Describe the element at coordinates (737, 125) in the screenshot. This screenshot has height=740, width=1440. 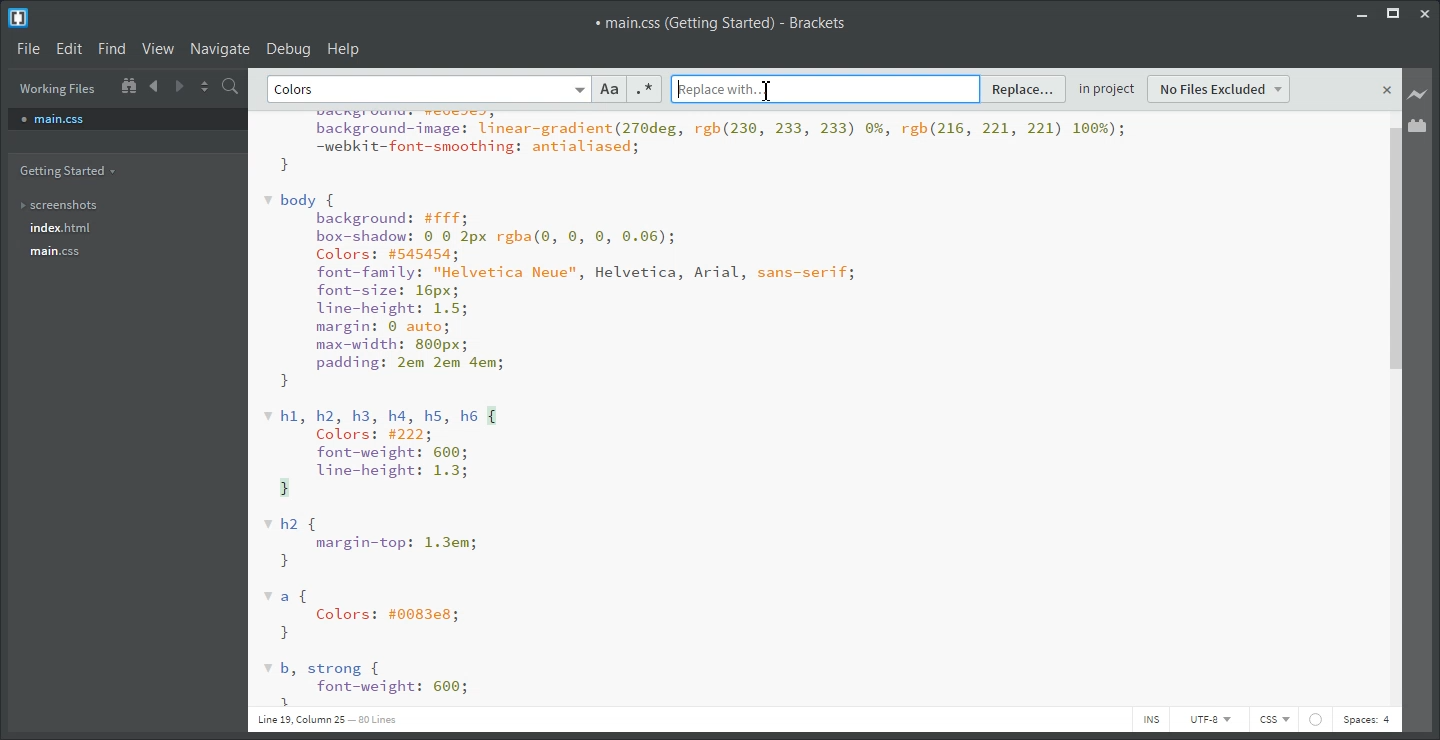
I see `` at that location.